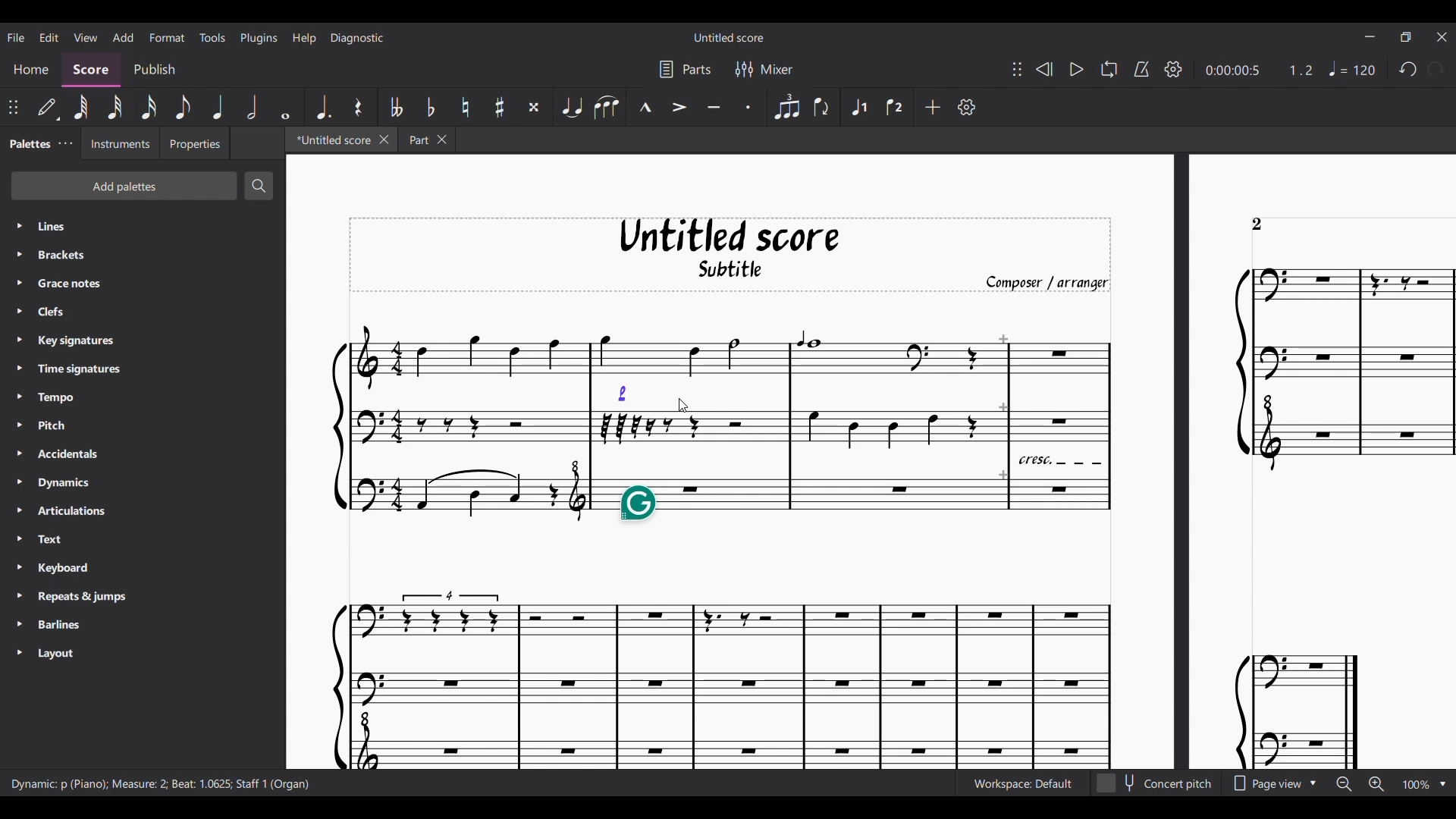  What do you see at coordinates (1141, 69) in the screenshot?
I see `Metronome` at bounding box center [1141, 69].